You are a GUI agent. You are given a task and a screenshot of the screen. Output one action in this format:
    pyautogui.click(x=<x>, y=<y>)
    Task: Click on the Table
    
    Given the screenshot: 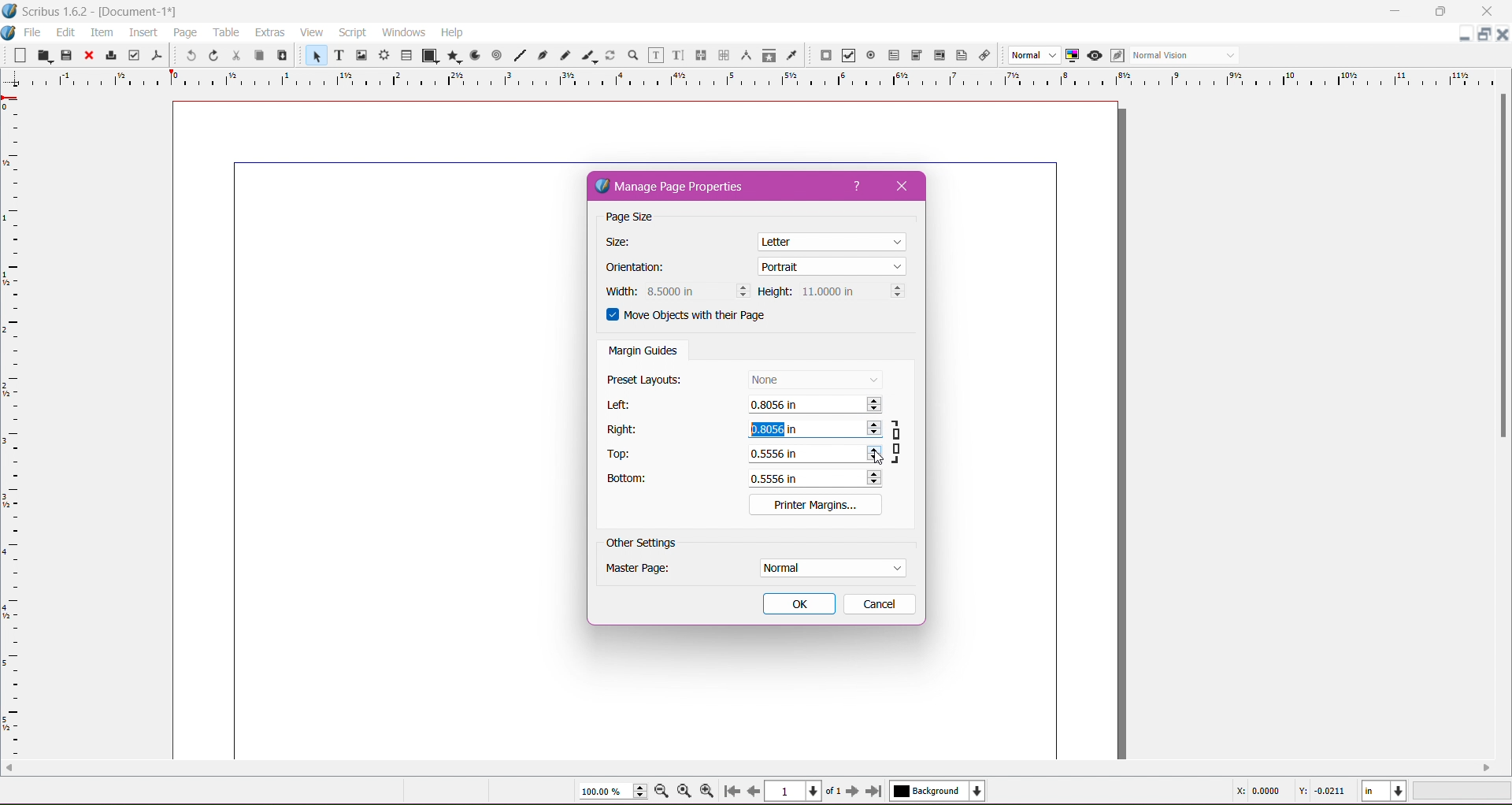 What is the action you would take?
    pyautogui.click(x=407, y=54)
    